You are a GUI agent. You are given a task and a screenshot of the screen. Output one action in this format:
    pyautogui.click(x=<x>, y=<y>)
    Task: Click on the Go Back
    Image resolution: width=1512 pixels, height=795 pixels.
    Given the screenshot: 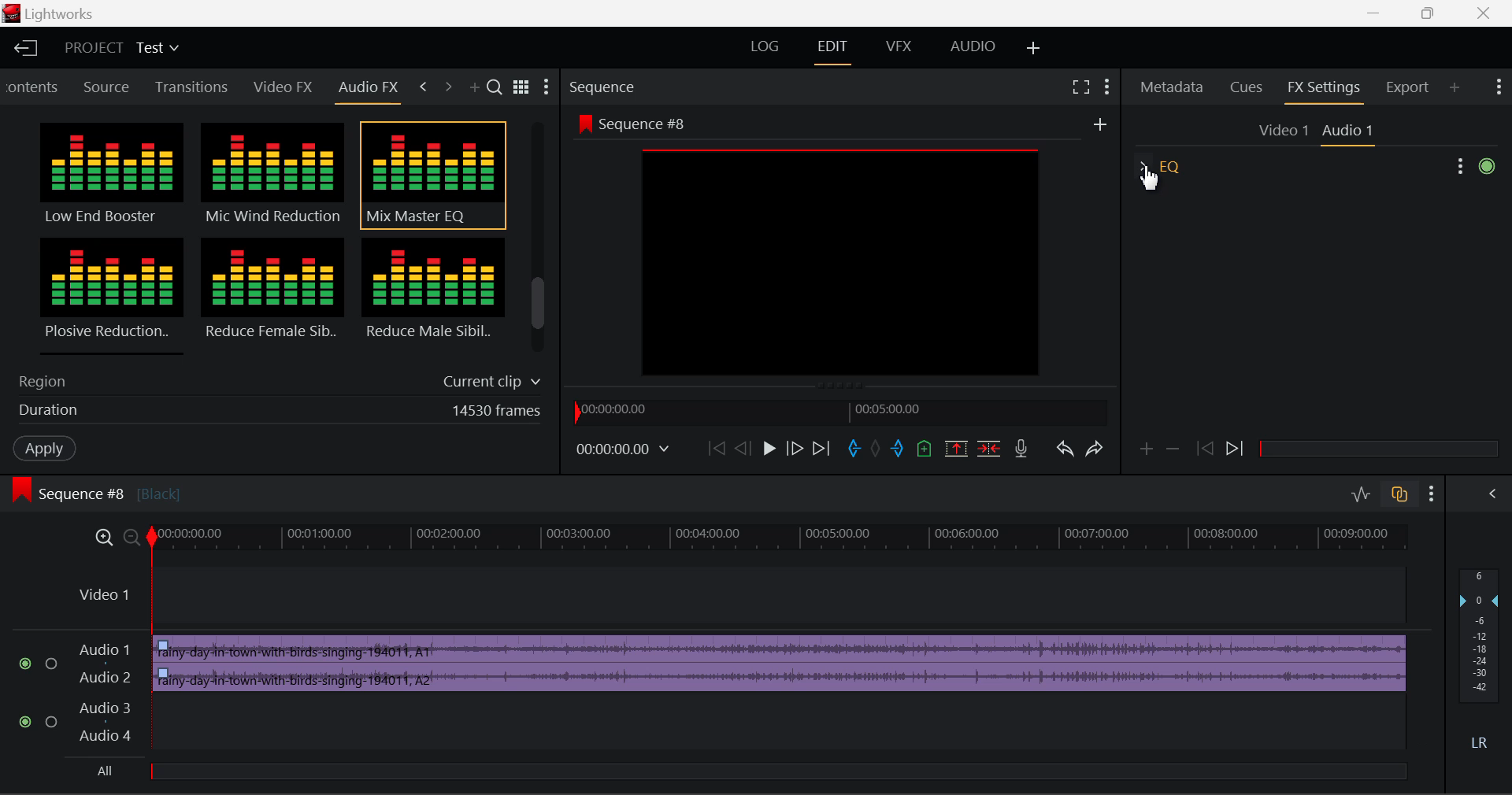 What is the action you would take?
    pyautogui.click(x=743, y=449)
    